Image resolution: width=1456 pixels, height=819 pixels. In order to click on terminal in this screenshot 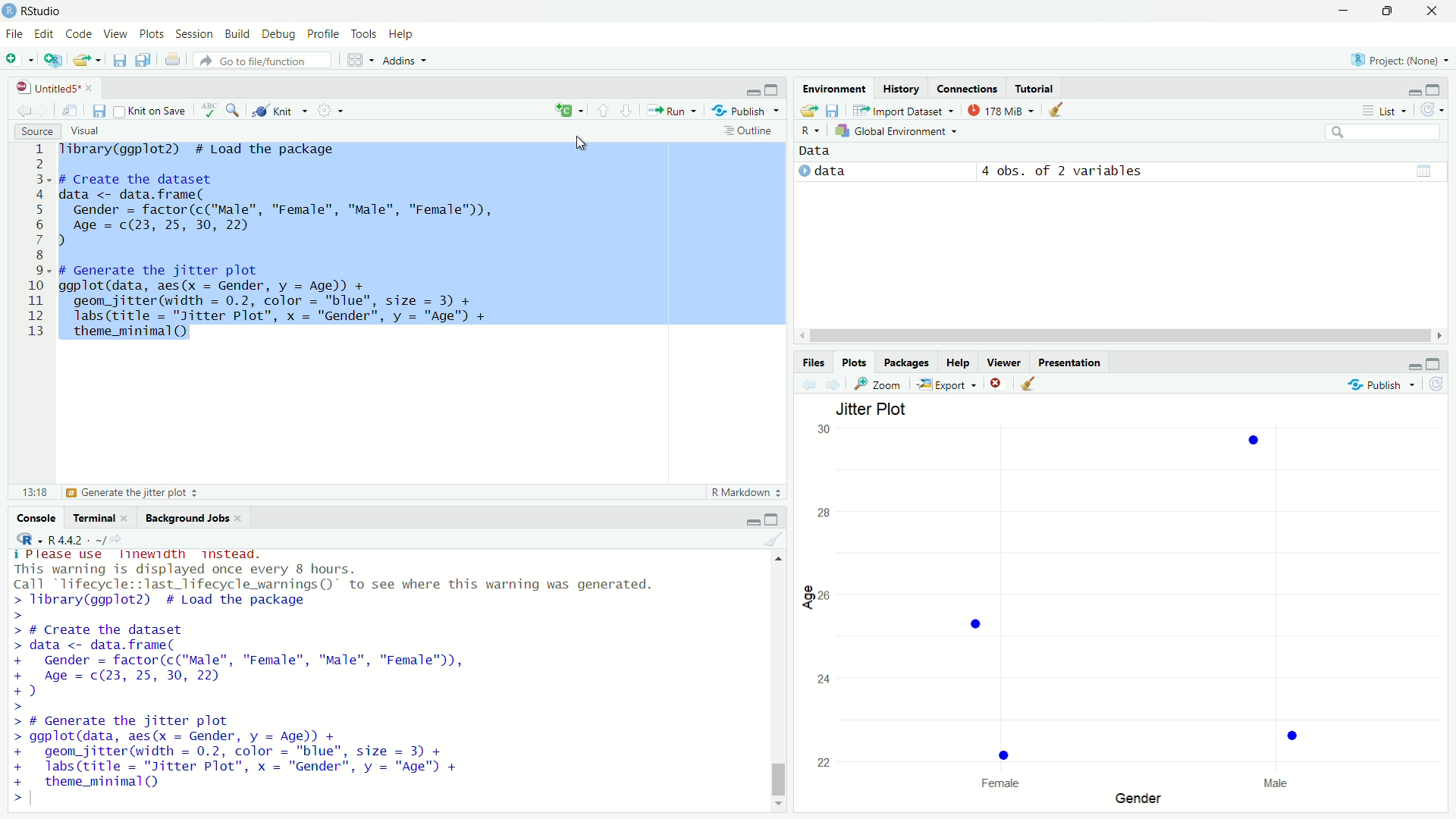, I will do `click(91, 516)`.